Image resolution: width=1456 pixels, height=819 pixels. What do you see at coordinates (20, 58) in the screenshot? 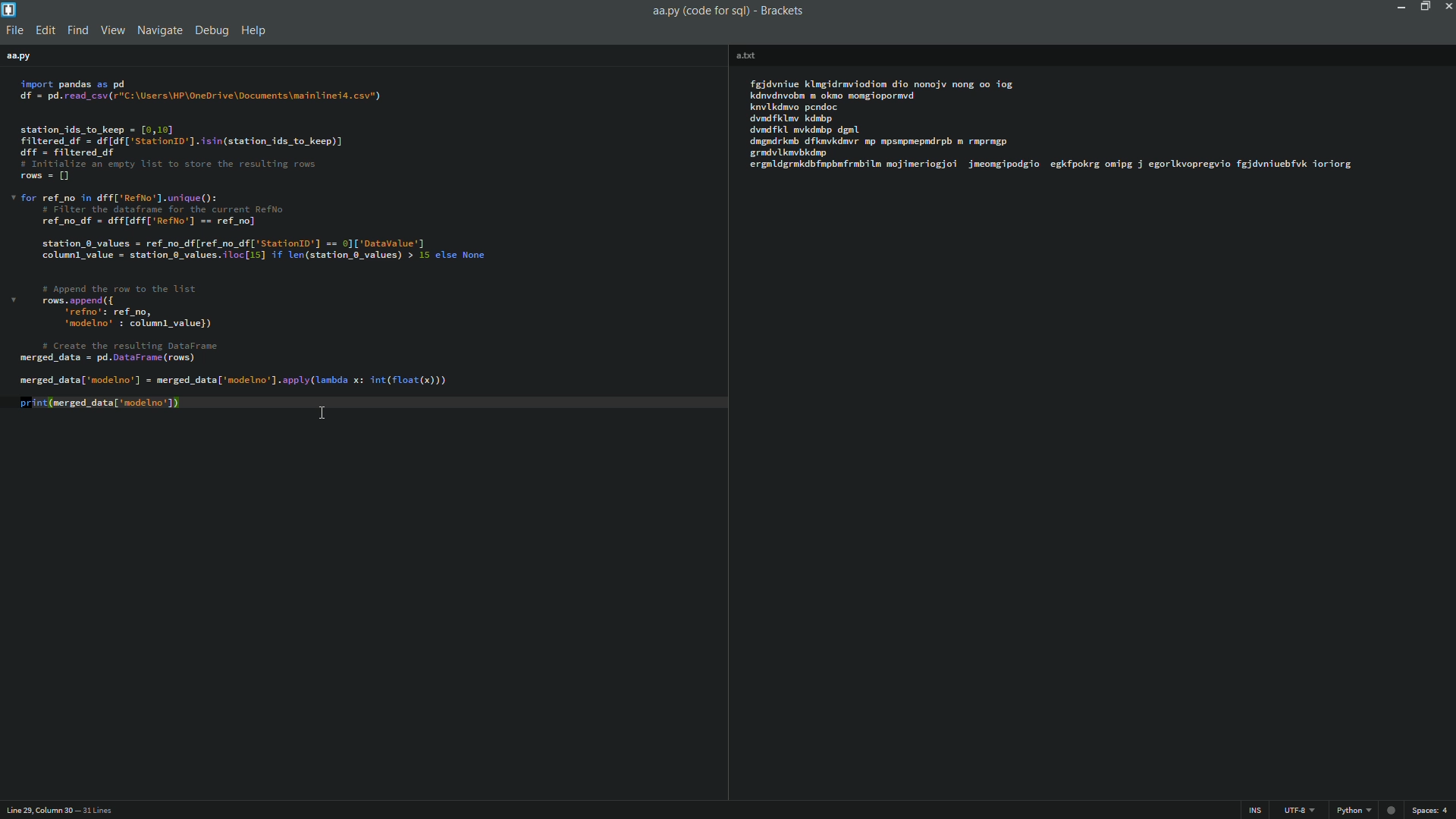
I see `file name` at bounding box center [20, 58].